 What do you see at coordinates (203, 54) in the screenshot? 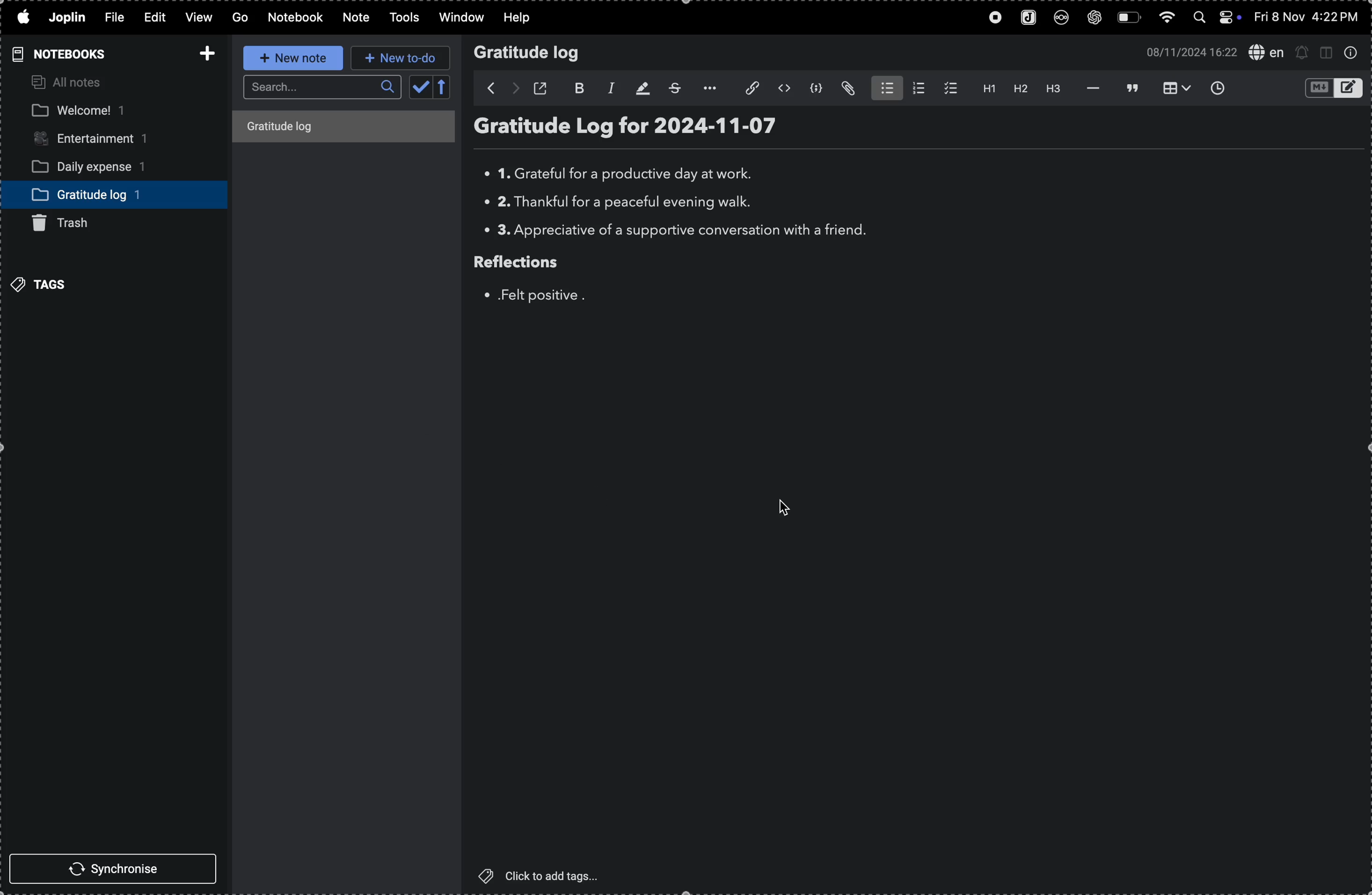
I see `add` at bounding box center [203, 54].